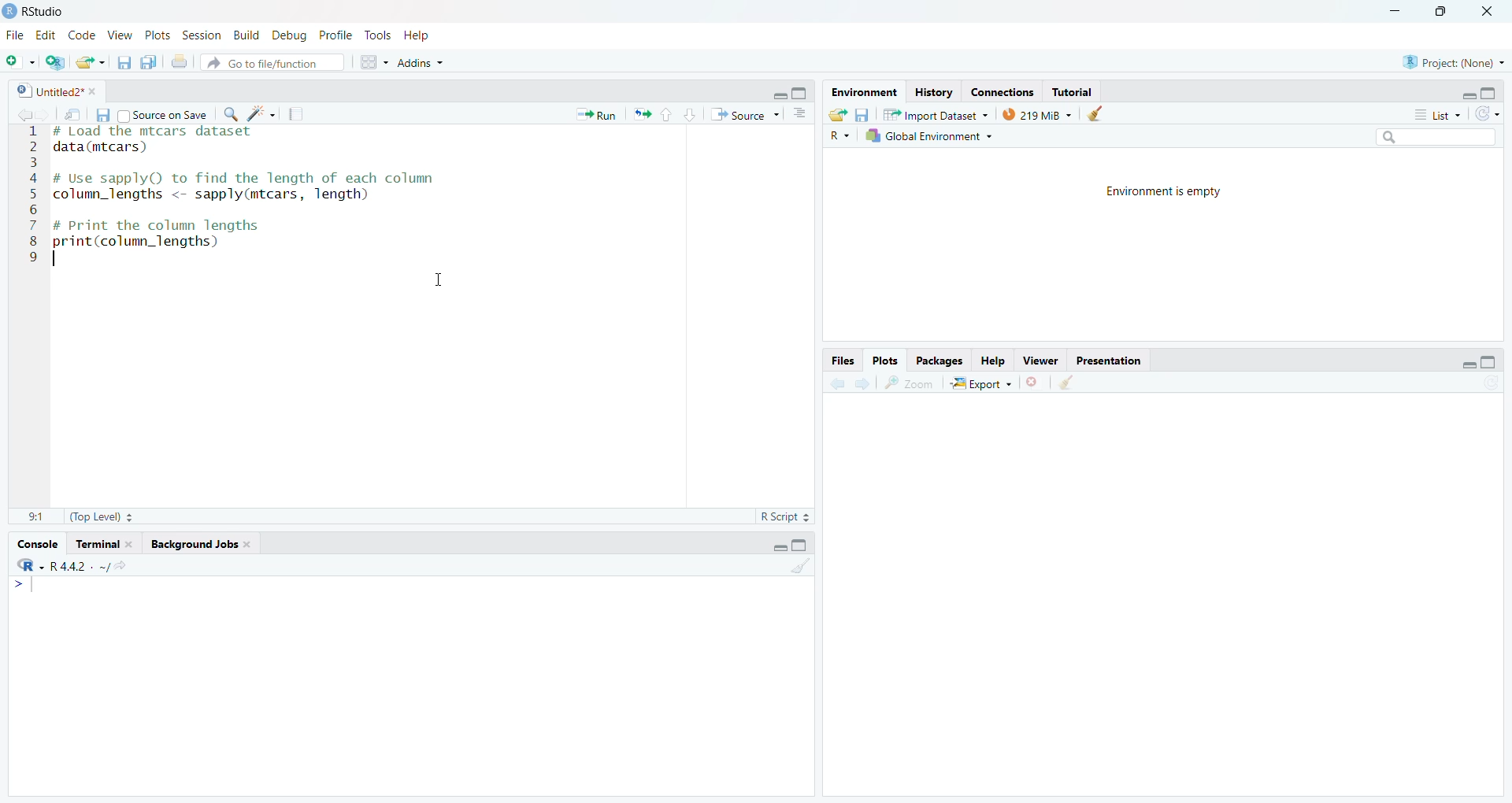 The height and width of the screenshot is (803, 1512). I want to click on Background Jobs, so click(199, 545).